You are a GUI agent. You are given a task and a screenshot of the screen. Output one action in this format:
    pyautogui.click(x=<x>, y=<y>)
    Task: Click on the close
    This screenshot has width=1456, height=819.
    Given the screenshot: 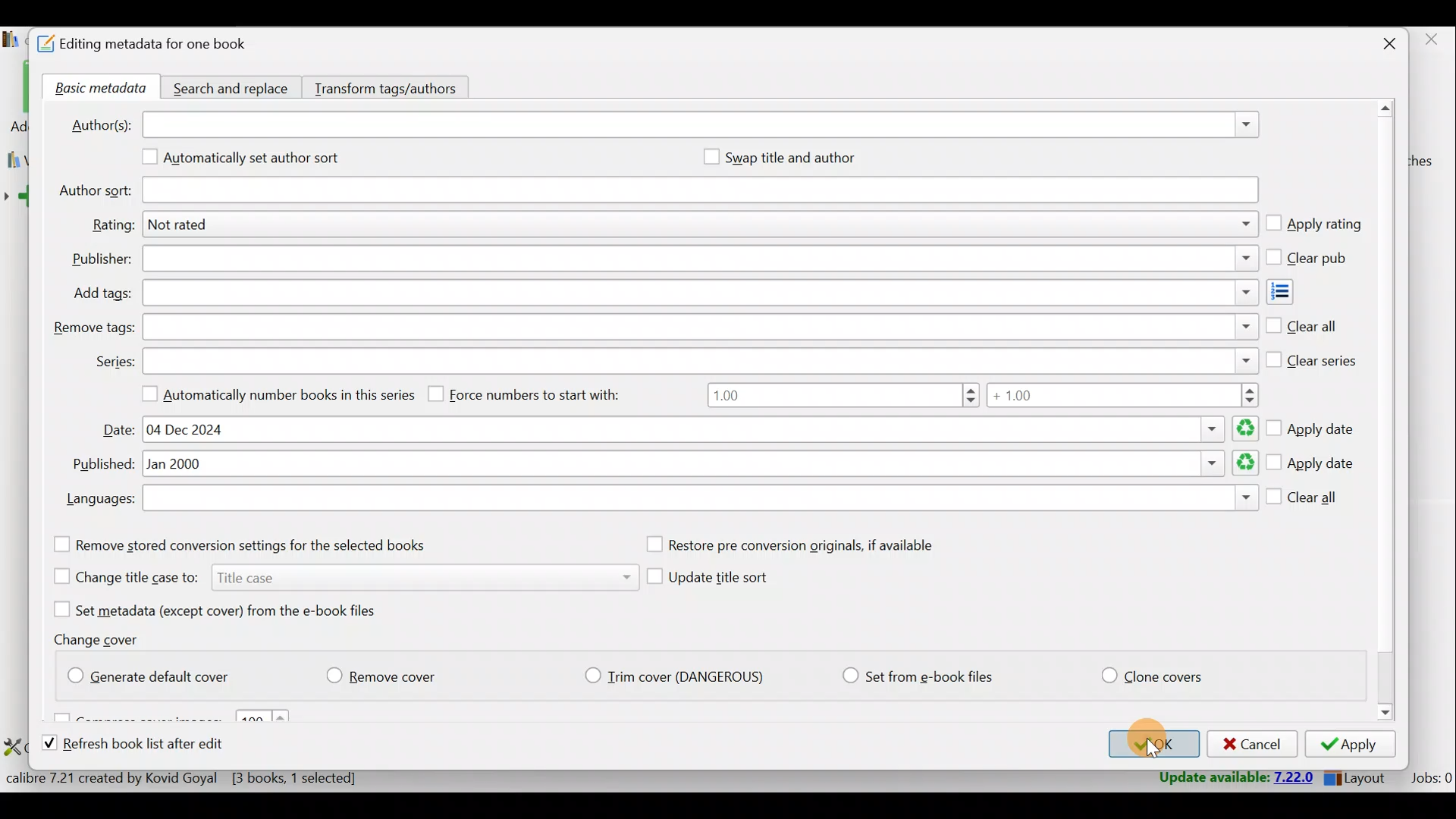 What is the action you would take?
    pyautogui.click(x=1430, y=40)
    